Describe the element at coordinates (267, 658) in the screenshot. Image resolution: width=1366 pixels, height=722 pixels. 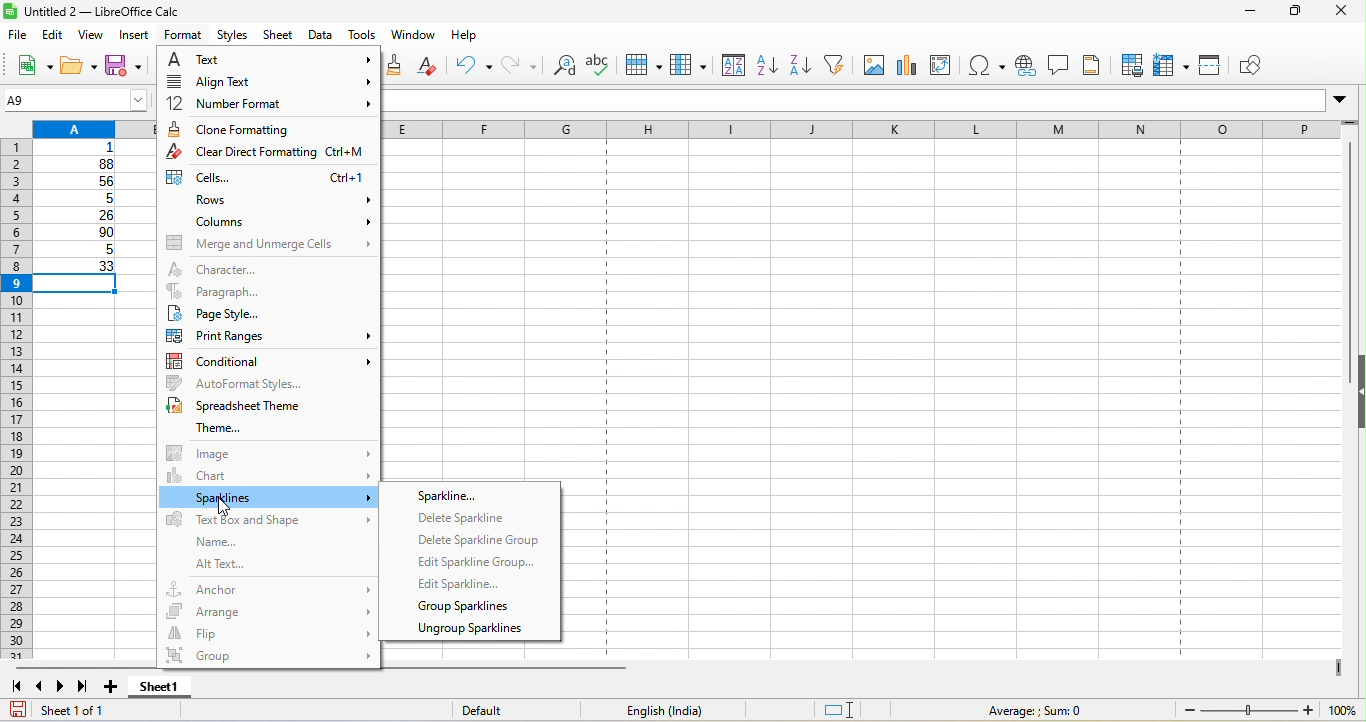
I see `group` at that location.